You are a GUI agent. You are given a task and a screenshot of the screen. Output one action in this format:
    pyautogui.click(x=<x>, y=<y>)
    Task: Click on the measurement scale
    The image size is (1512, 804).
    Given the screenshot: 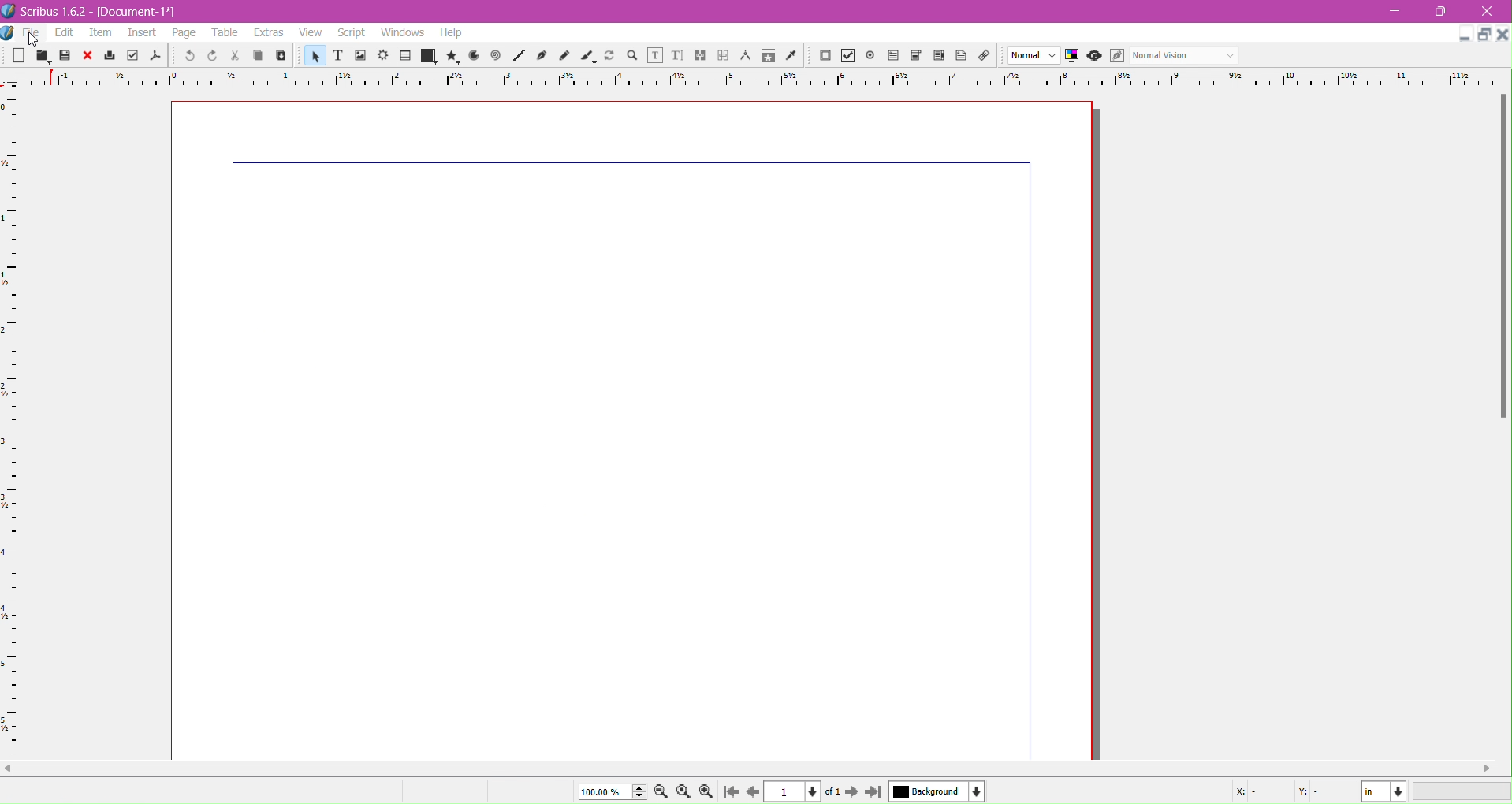 What is the action you would take?
    pyautogui.click(x=9, y=426)
    